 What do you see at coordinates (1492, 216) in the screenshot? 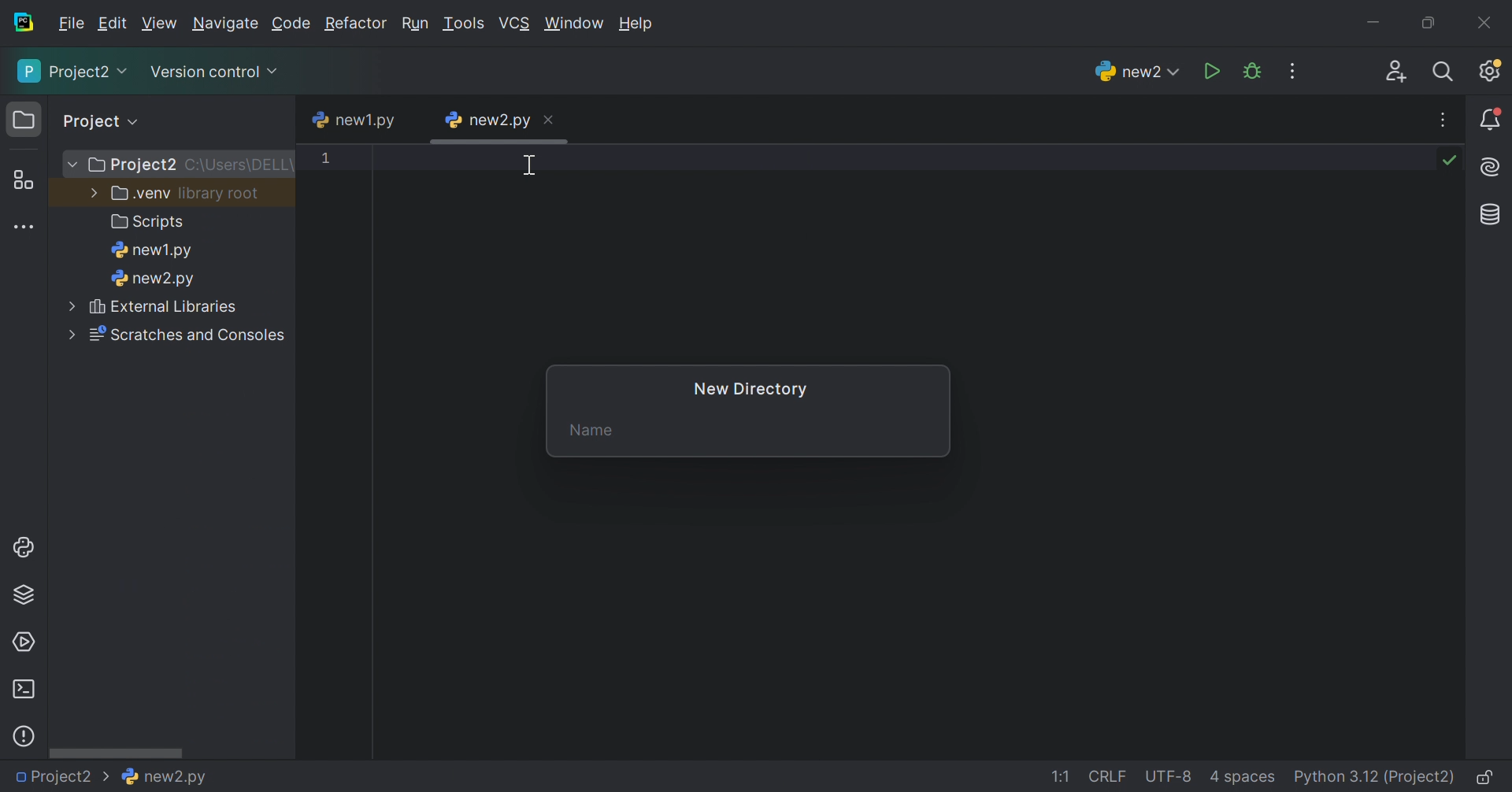
I see `Database` at bounding box center [1492, 216].